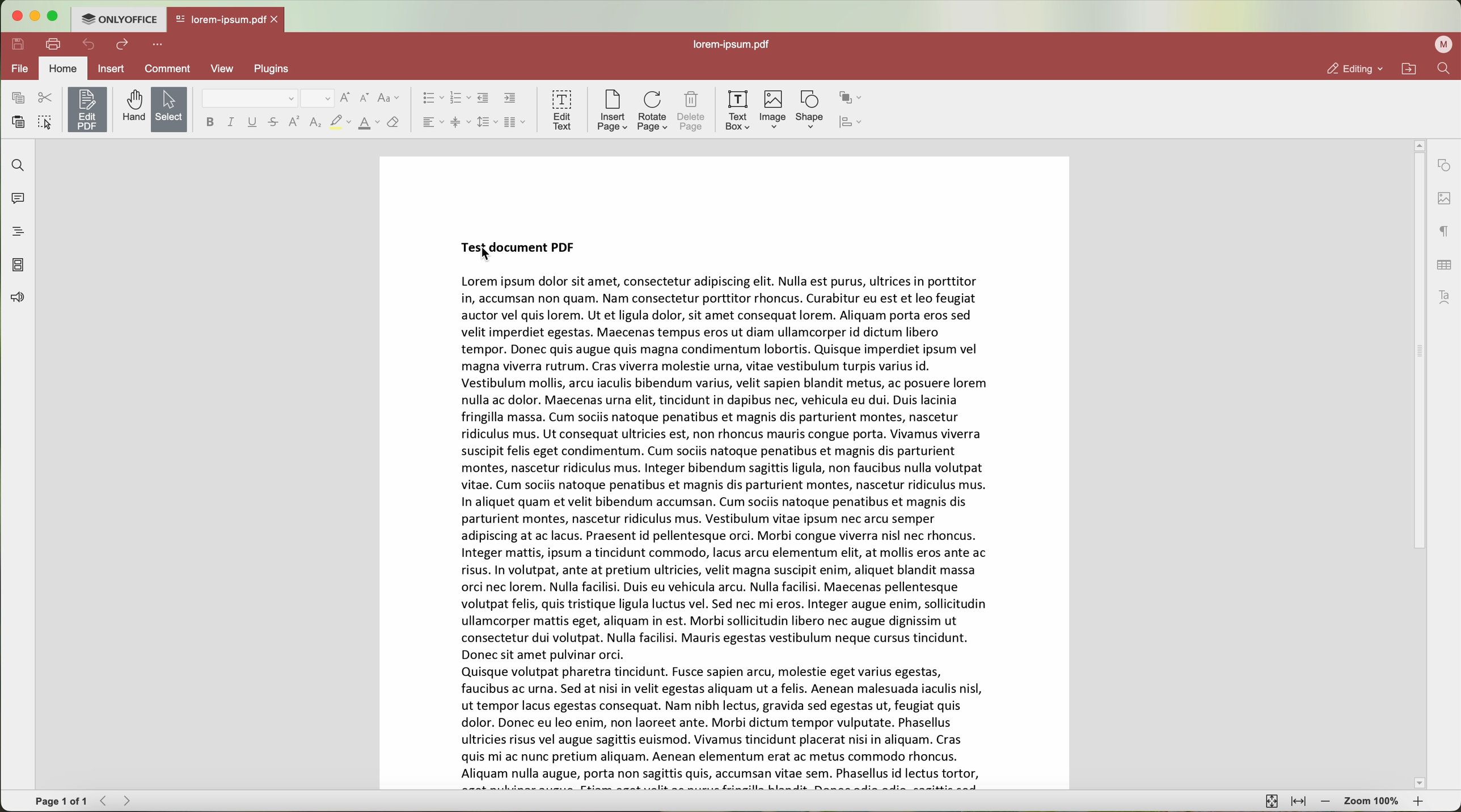  I want to click on maximize program, so click(56, 16).